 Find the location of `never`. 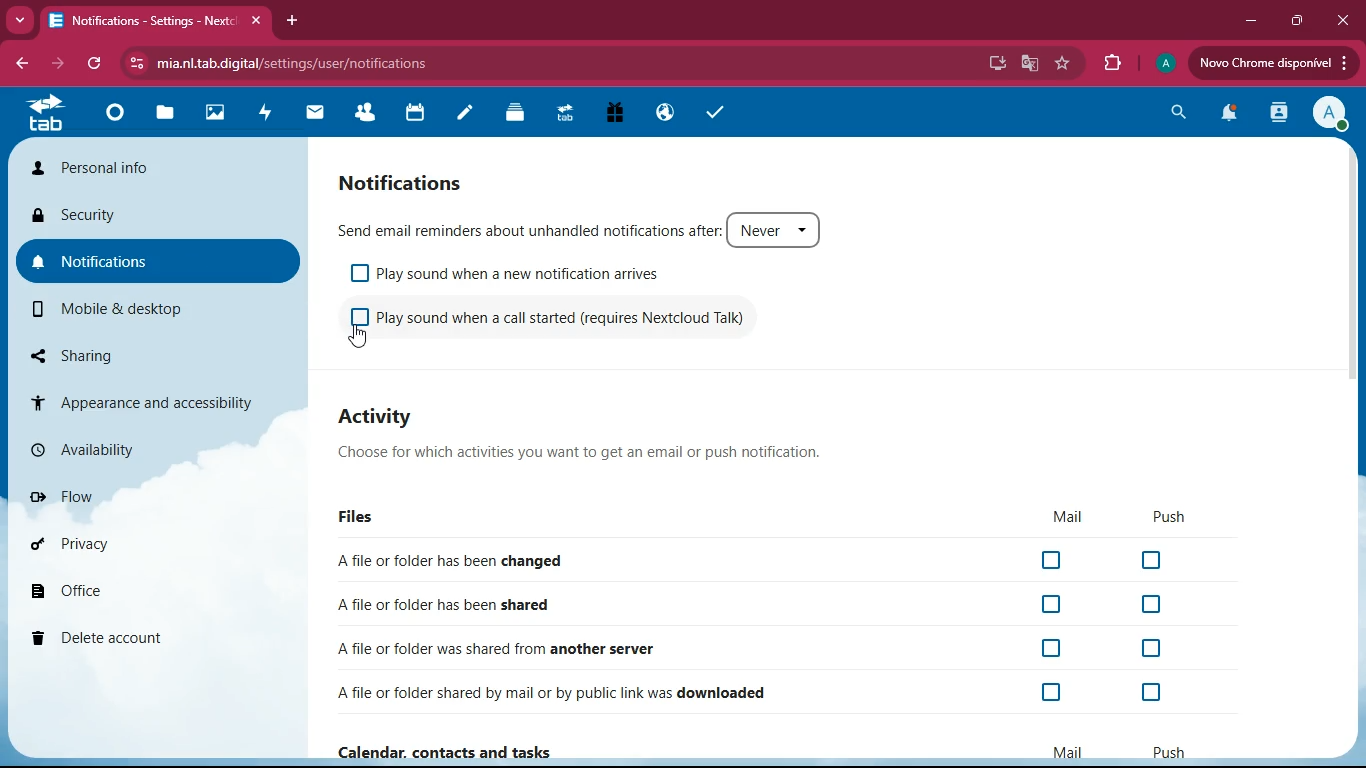

never is located at coordinates (775, 231).